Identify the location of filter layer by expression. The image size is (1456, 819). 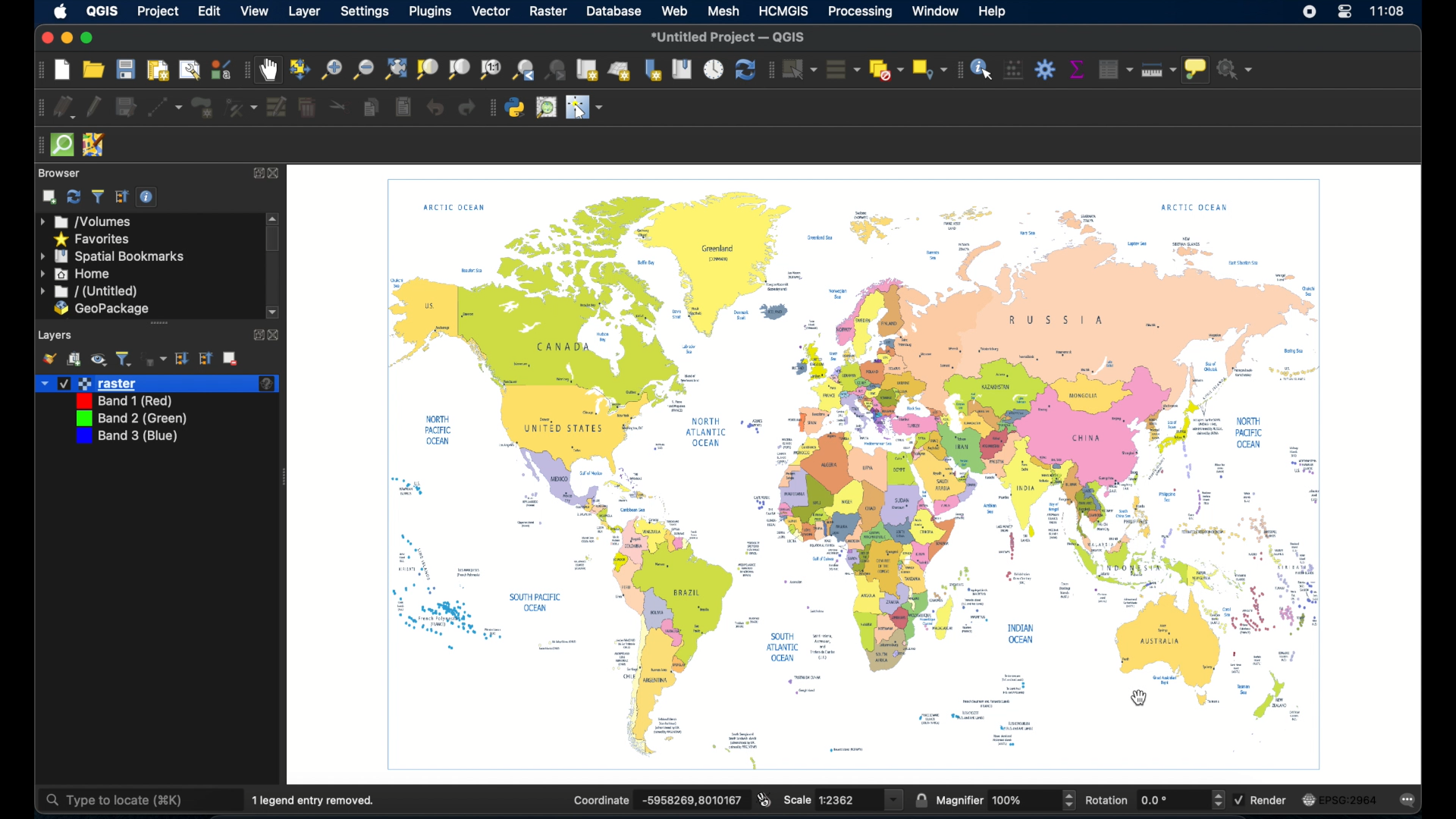
(154, 359).